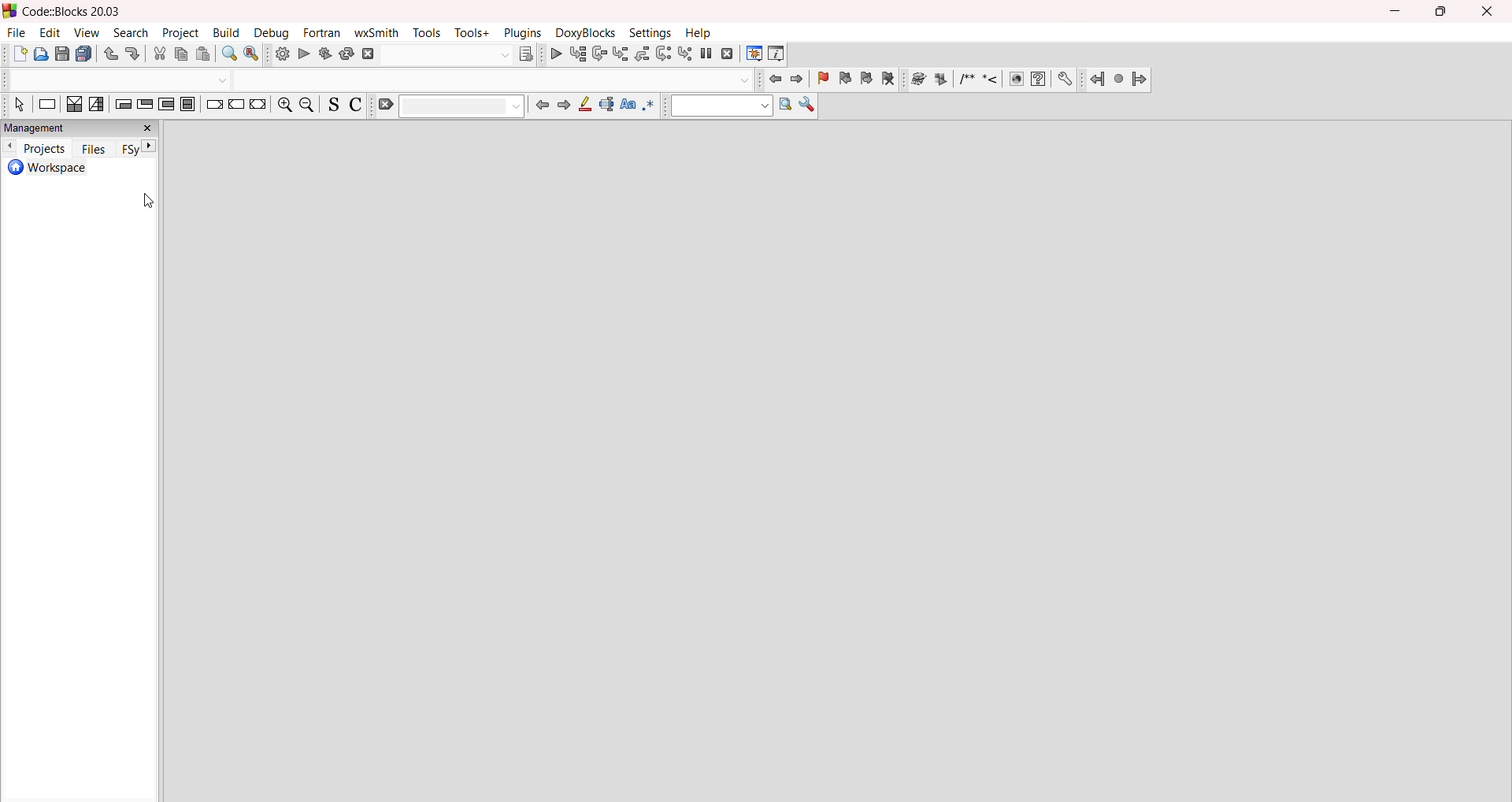  Describe the element at coordinates (80, 169) in the screenshot. I see `workspace` at that location.